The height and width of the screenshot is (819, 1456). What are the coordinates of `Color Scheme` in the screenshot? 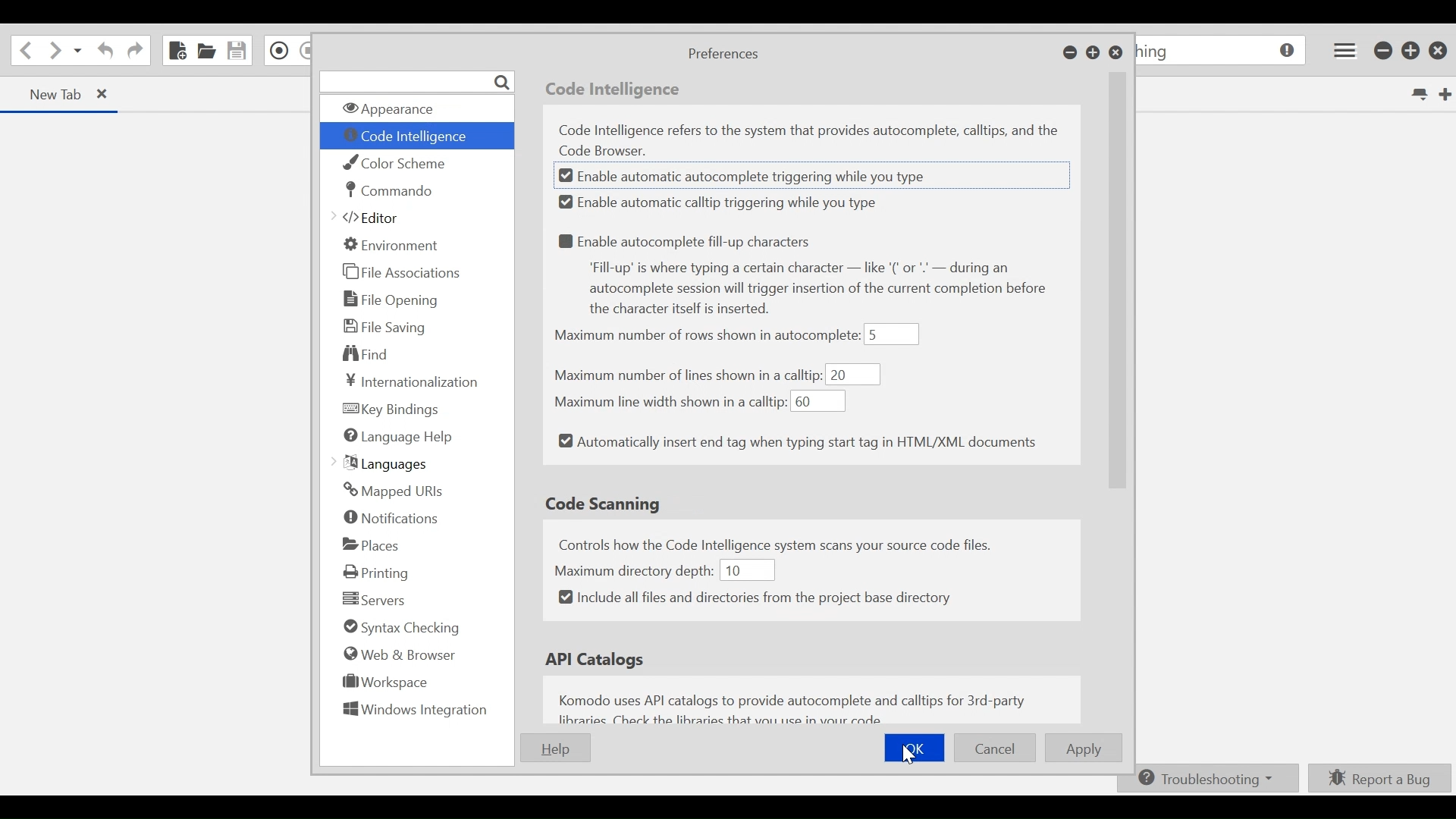 It's located at (401, 163).